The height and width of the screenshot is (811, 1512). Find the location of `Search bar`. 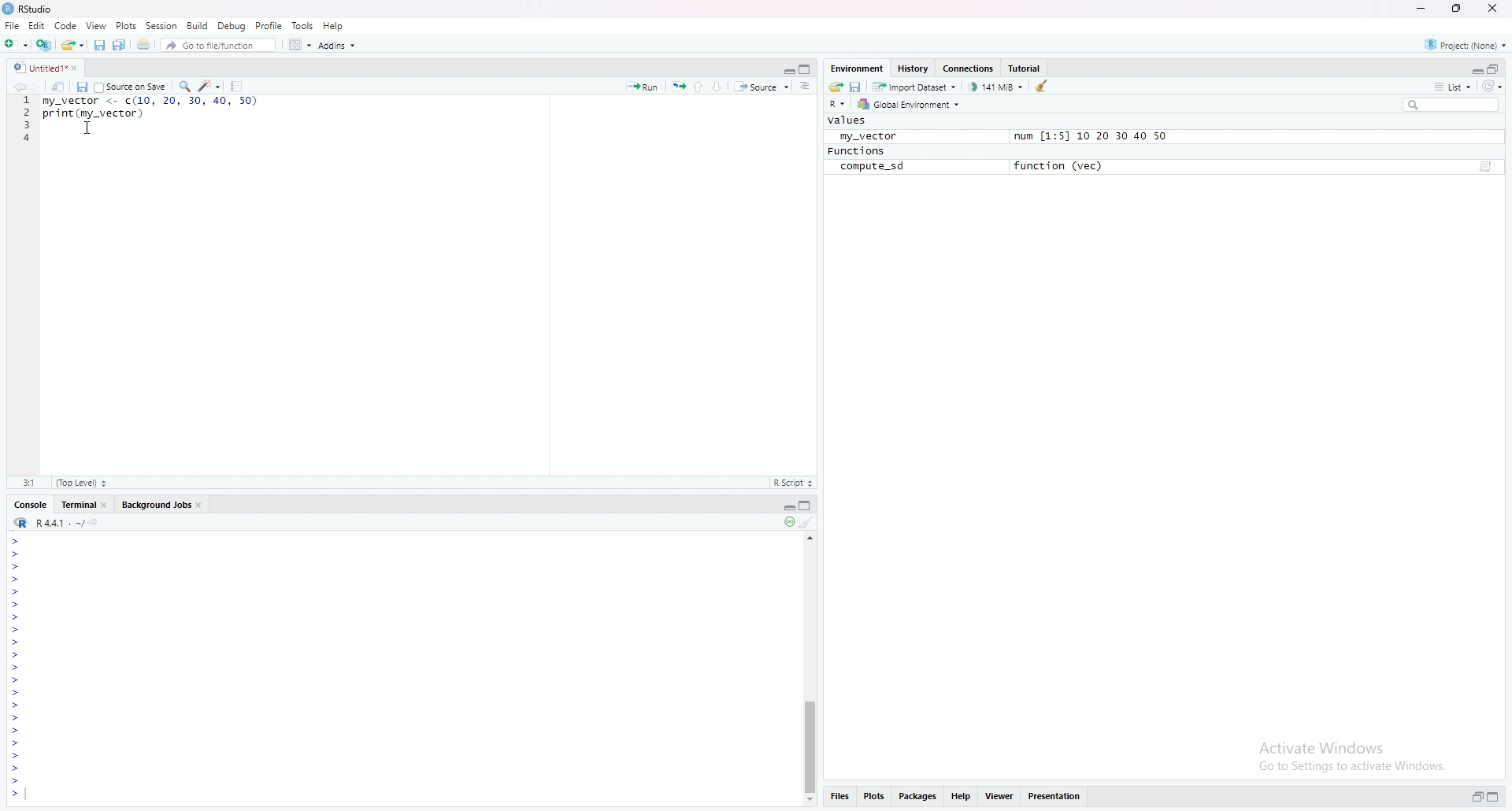

Search bar is located at coordinates (1456, 104).